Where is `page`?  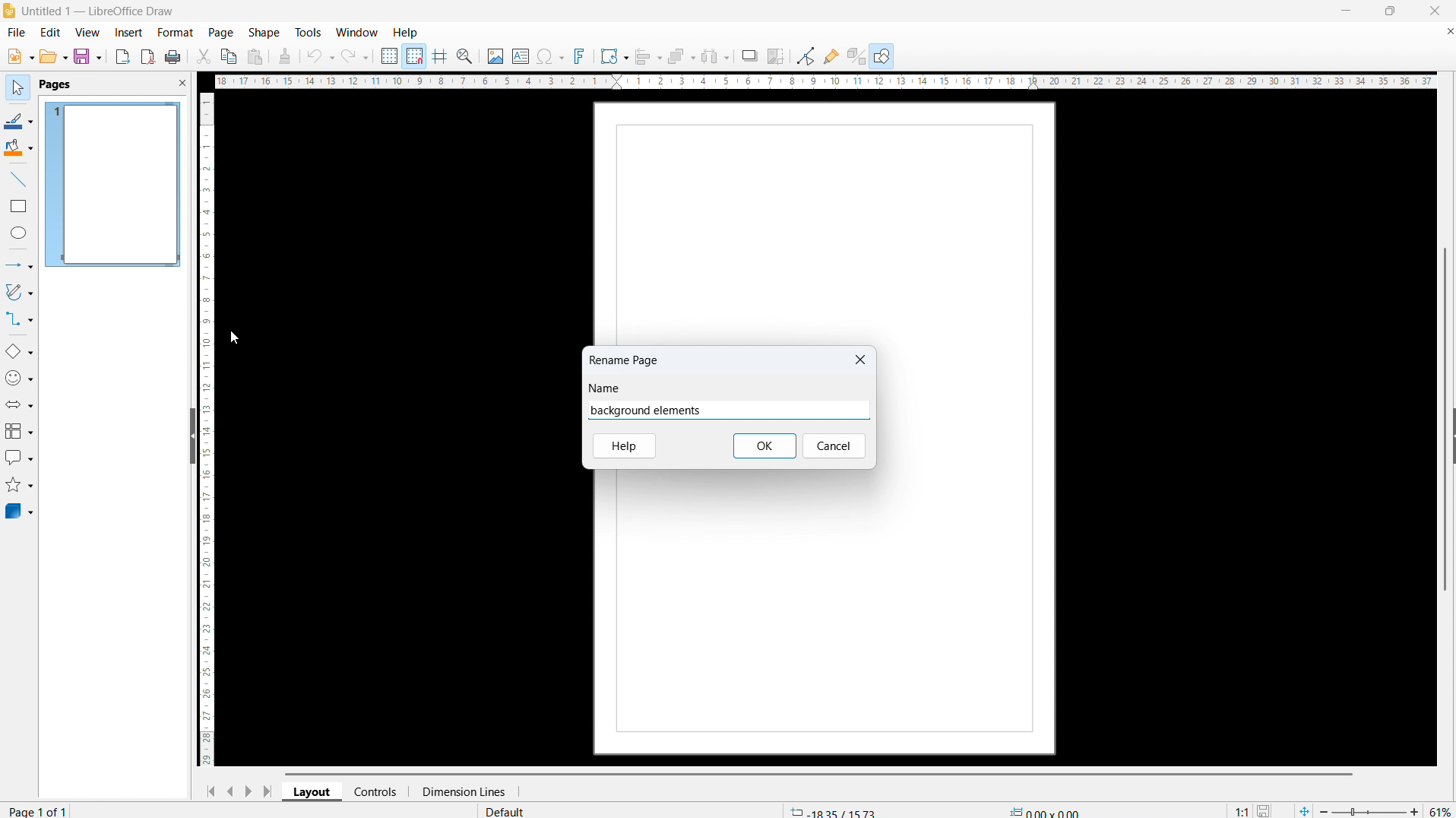
page is located at coordinates (822, 618).